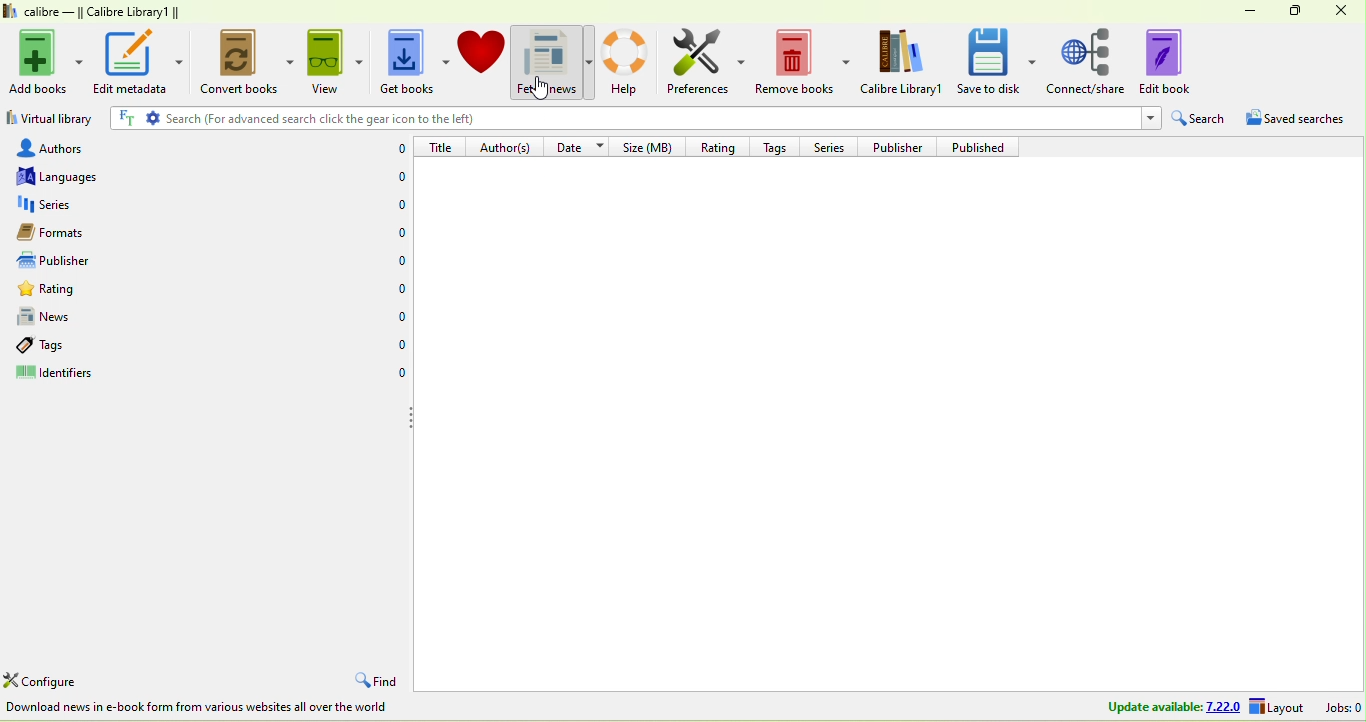  Describe the element at coordinates (441, 147) in the screenshot. I see `title` at that location.